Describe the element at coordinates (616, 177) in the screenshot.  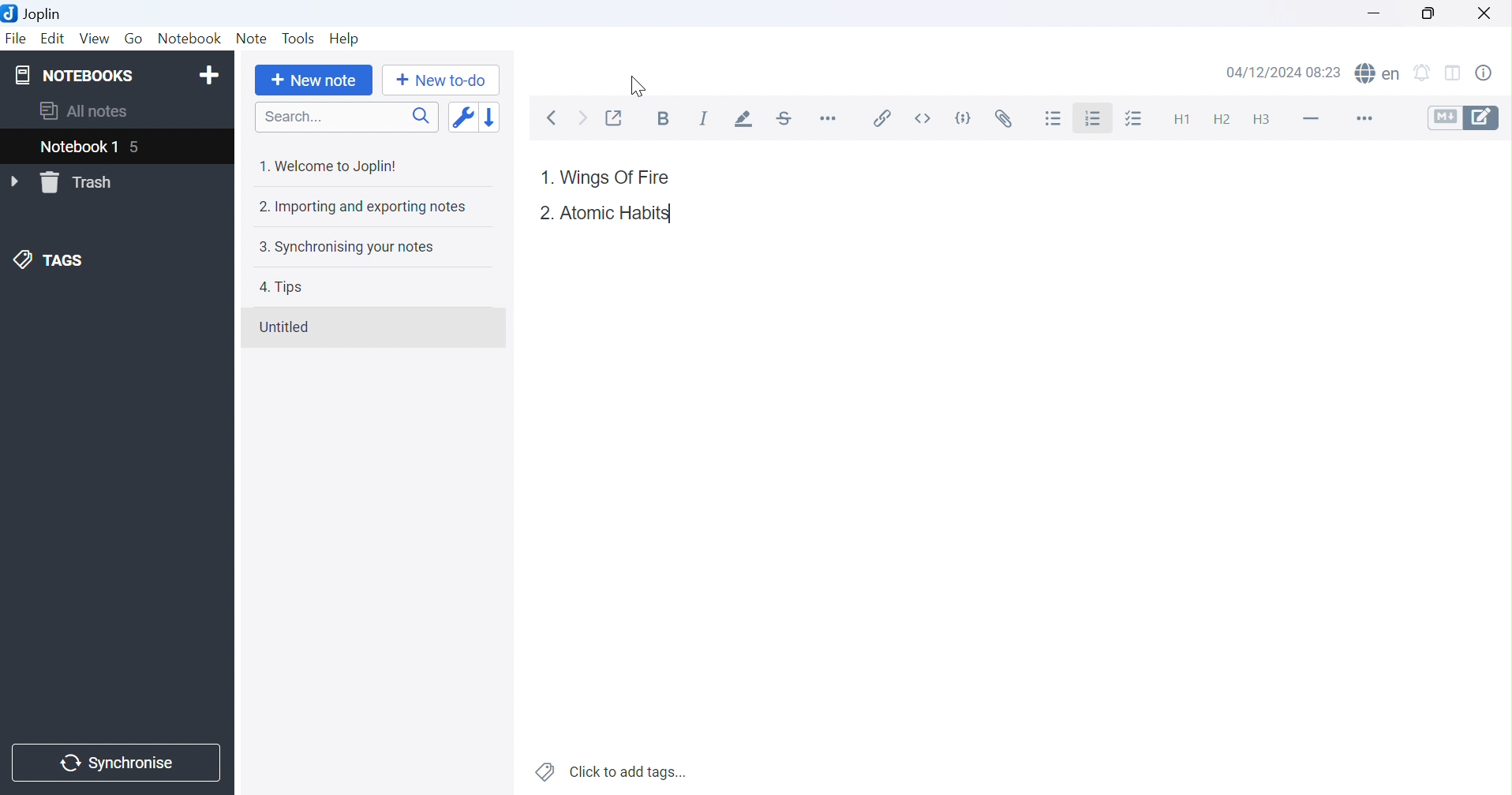
I see `Wings of Fire` at that location.